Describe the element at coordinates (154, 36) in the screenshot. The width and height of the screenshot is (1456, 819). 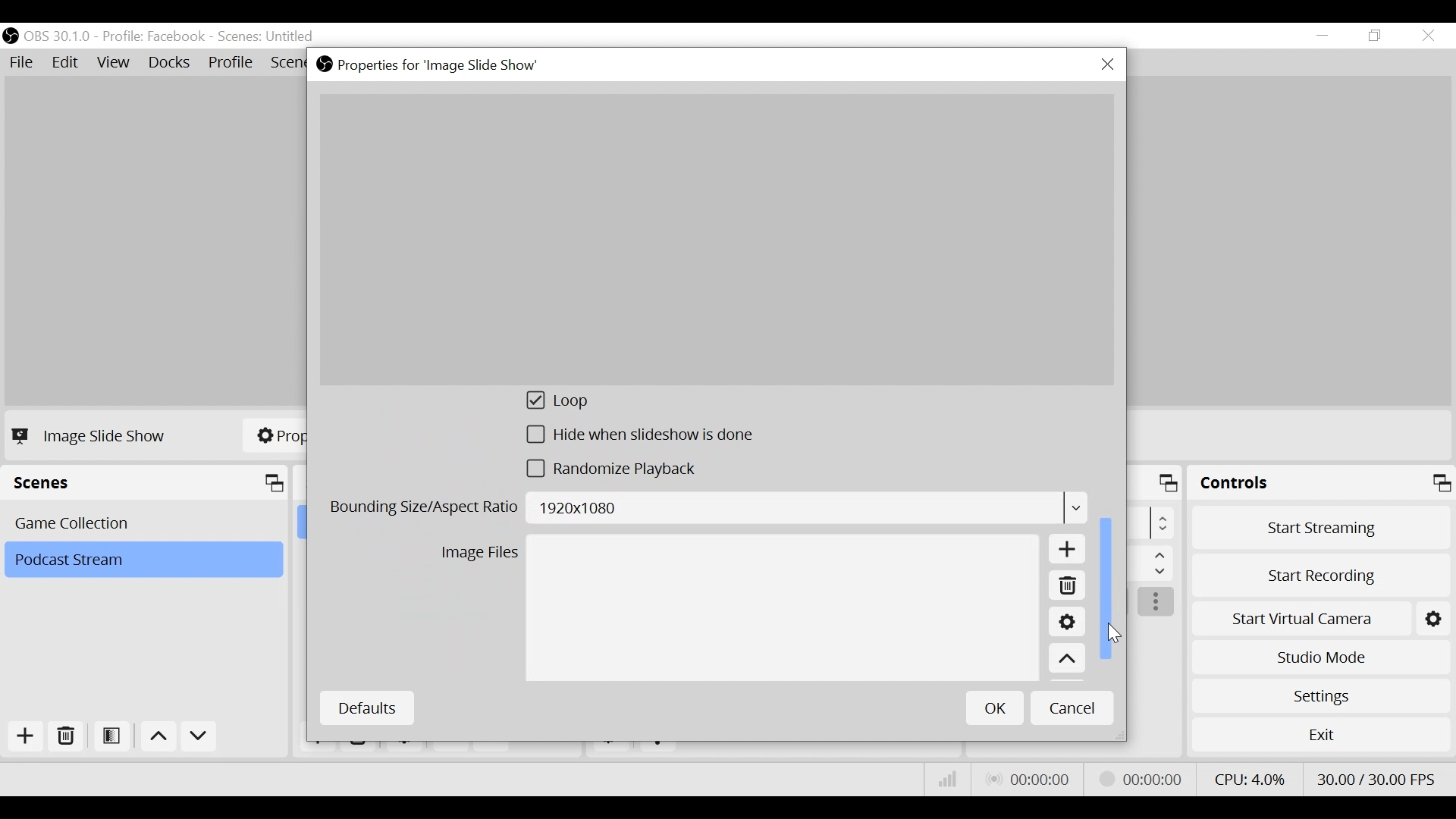
I see `Profile` at that location.